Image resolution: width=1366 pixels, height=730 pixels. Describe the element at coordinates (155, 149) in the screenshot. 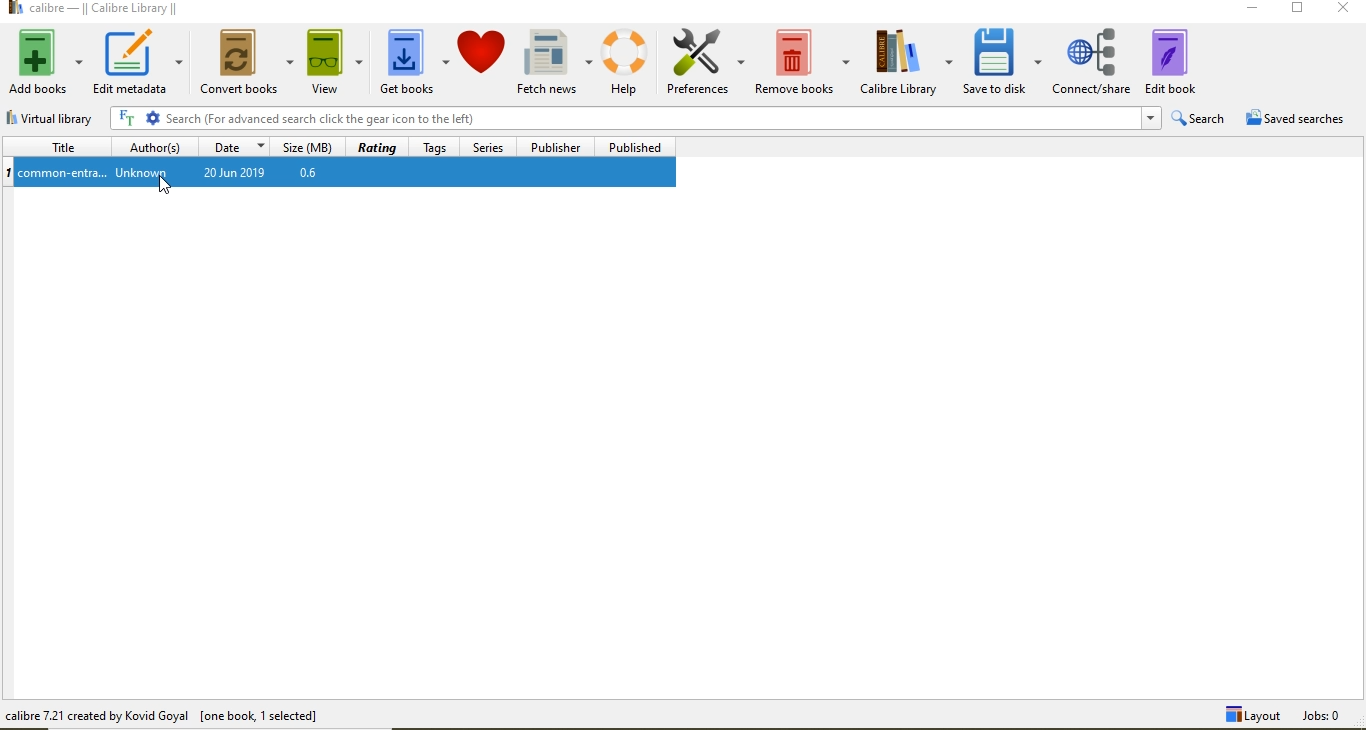

I see `author(s)` at that location.